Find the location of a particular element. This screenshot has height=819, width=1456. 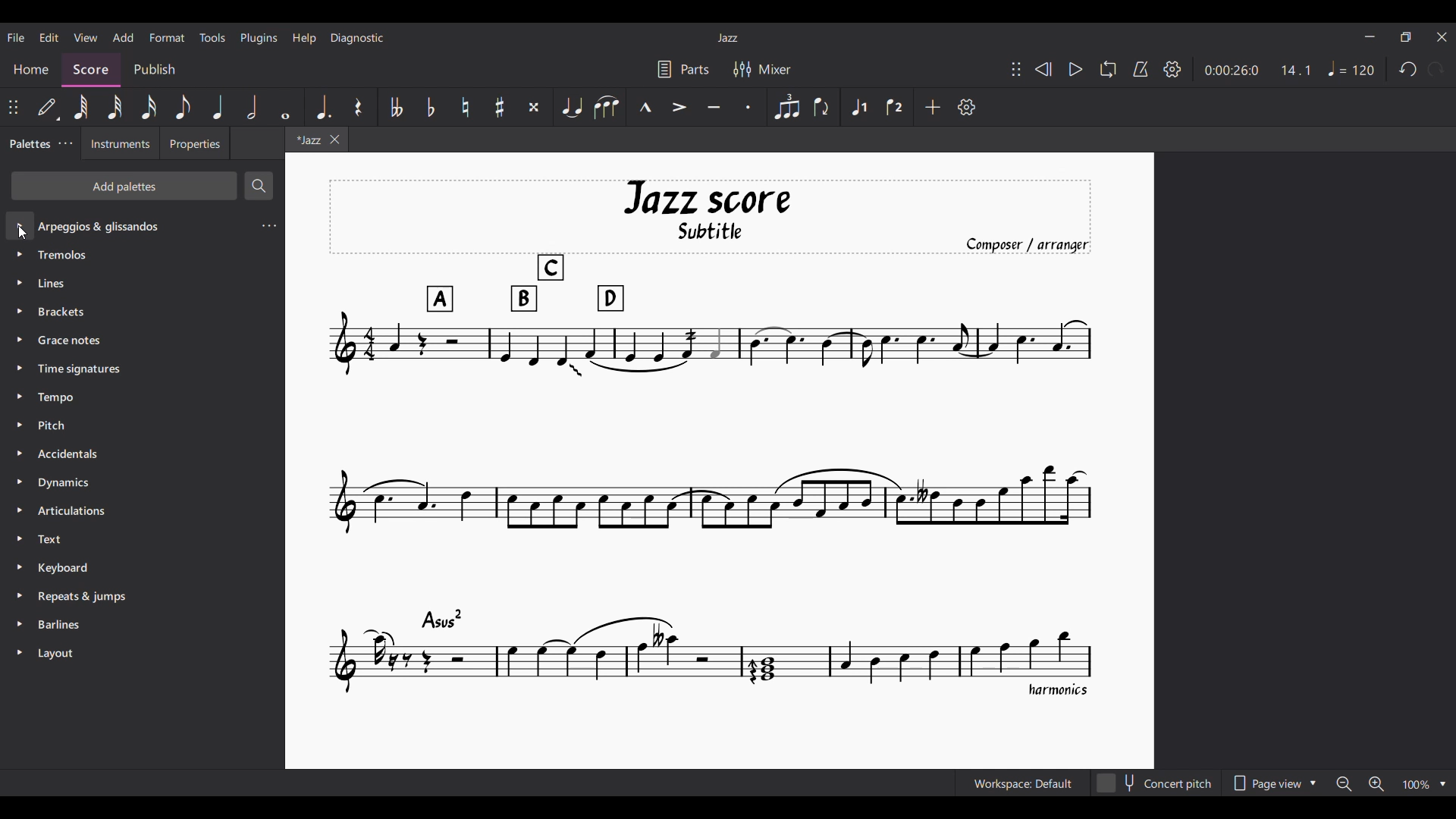

Diagnostic menu is located at coordinates (357, 38).